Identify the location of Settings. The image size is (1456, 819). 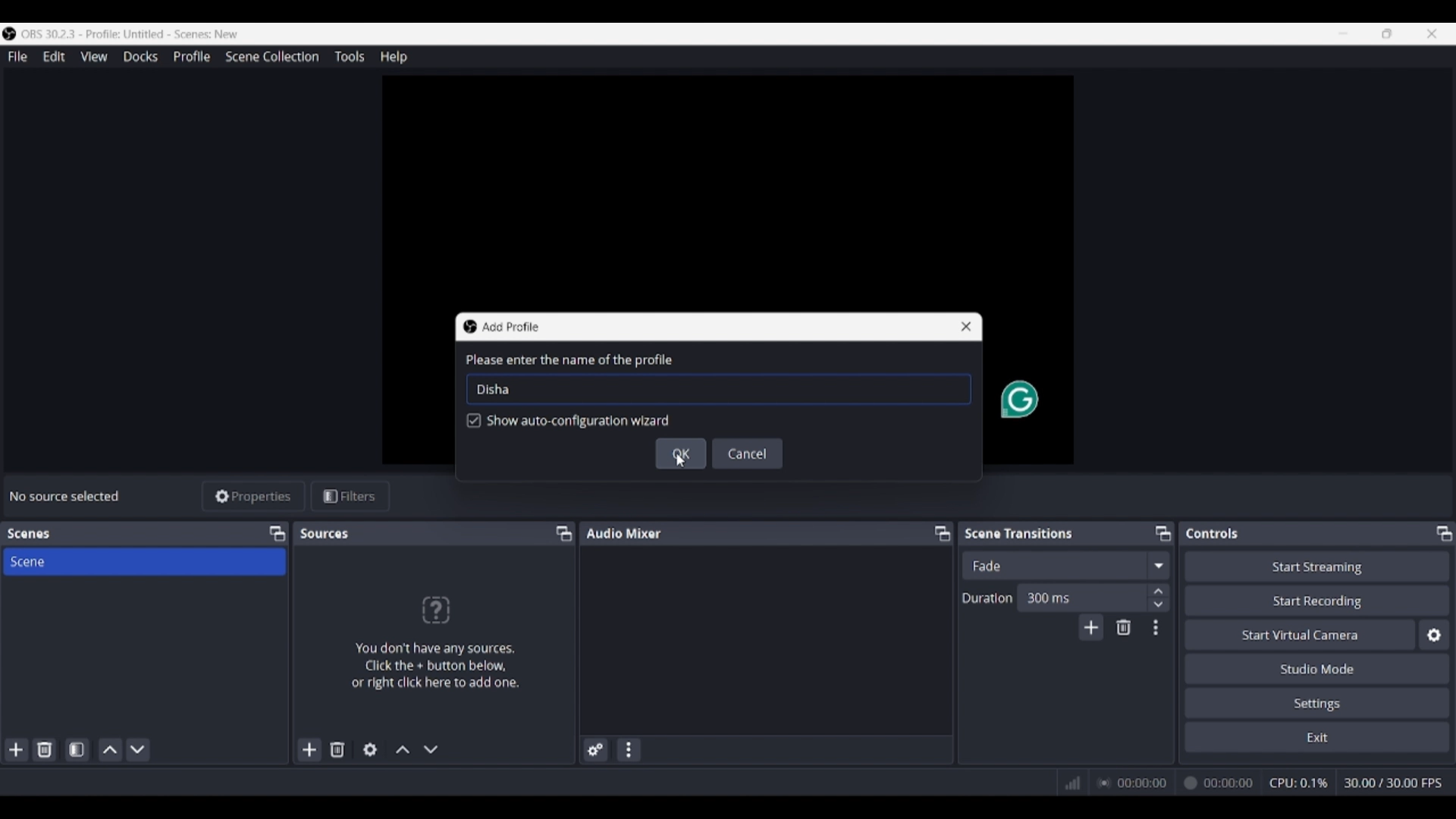
(1318, 702).